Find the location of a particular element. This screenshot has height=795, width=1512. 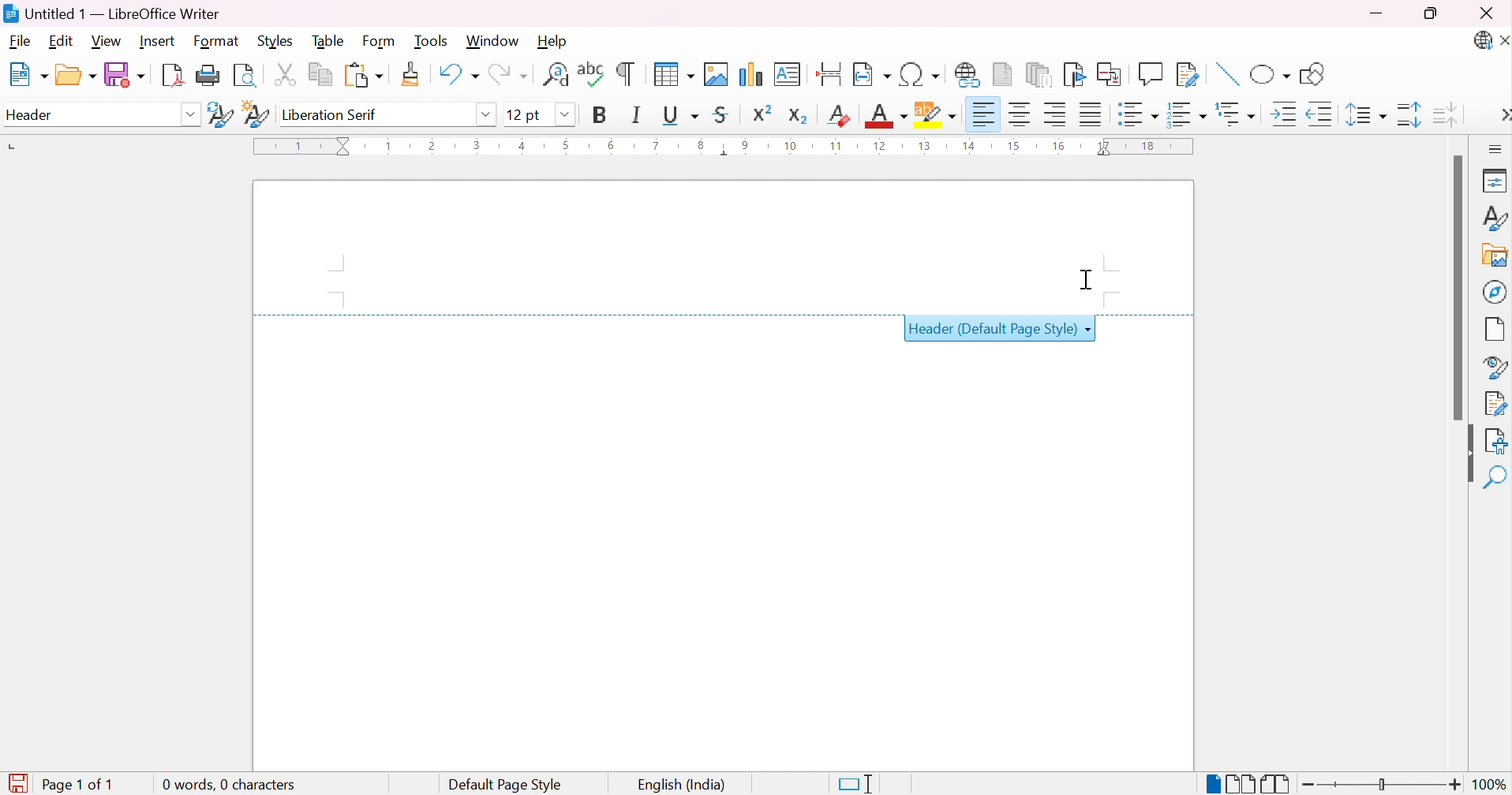

Minimize is located at coordinates (1375, 13).